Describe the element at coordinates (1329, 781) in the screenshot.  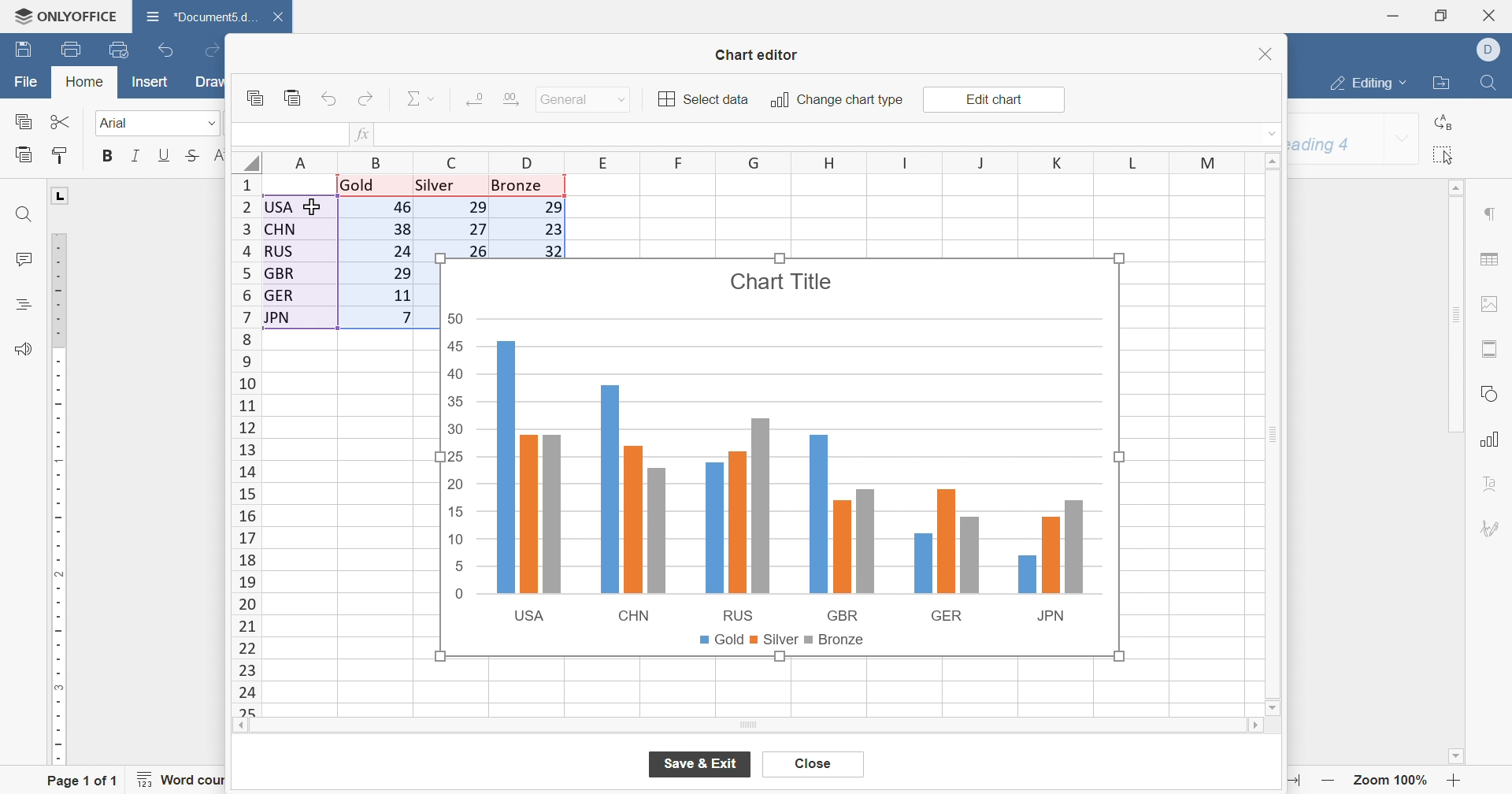
I see `zoom out` at that location.